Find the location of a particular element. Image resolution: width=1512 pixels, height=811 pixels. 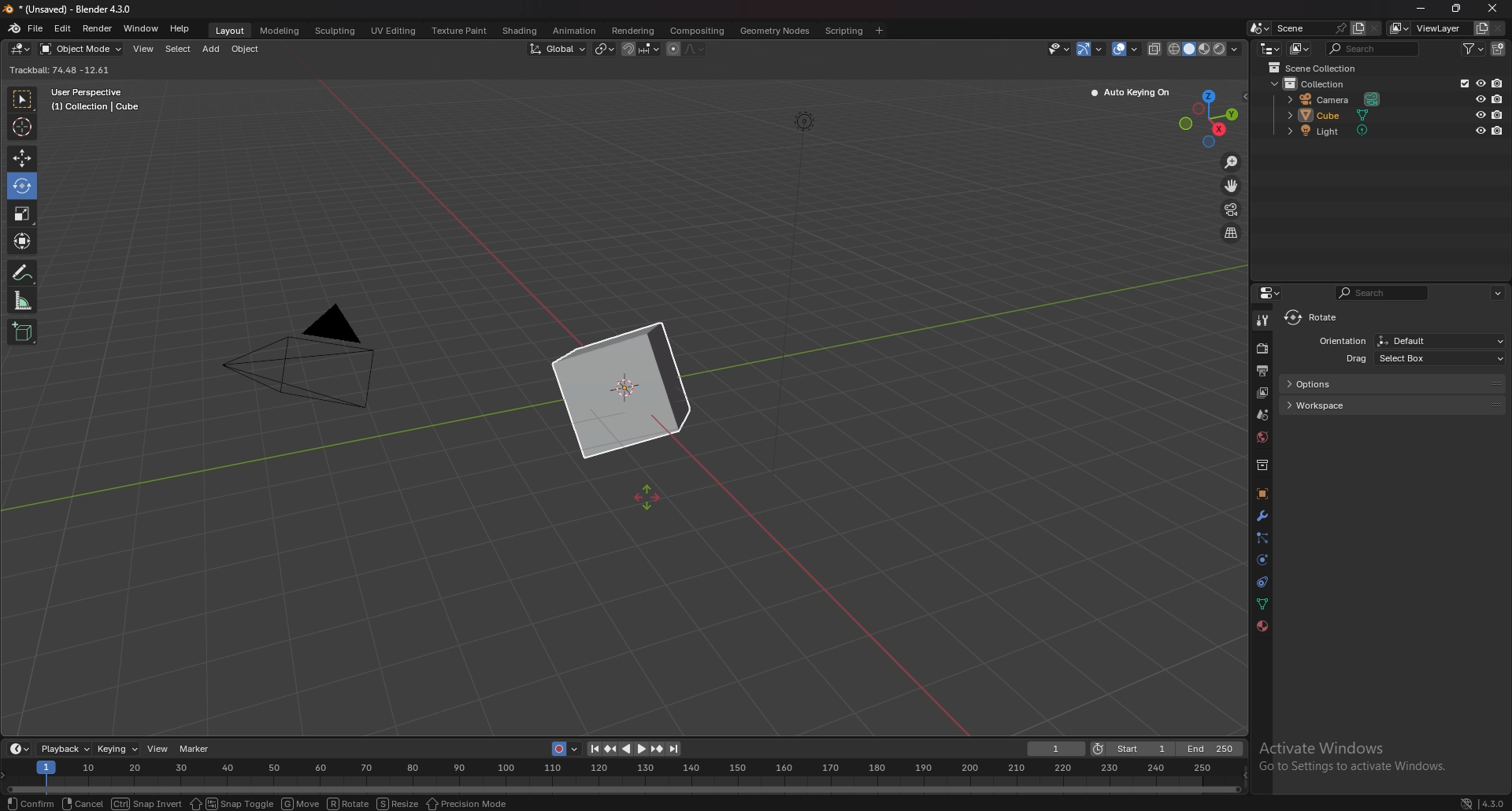

cube is located at coordinates (1339, 114).